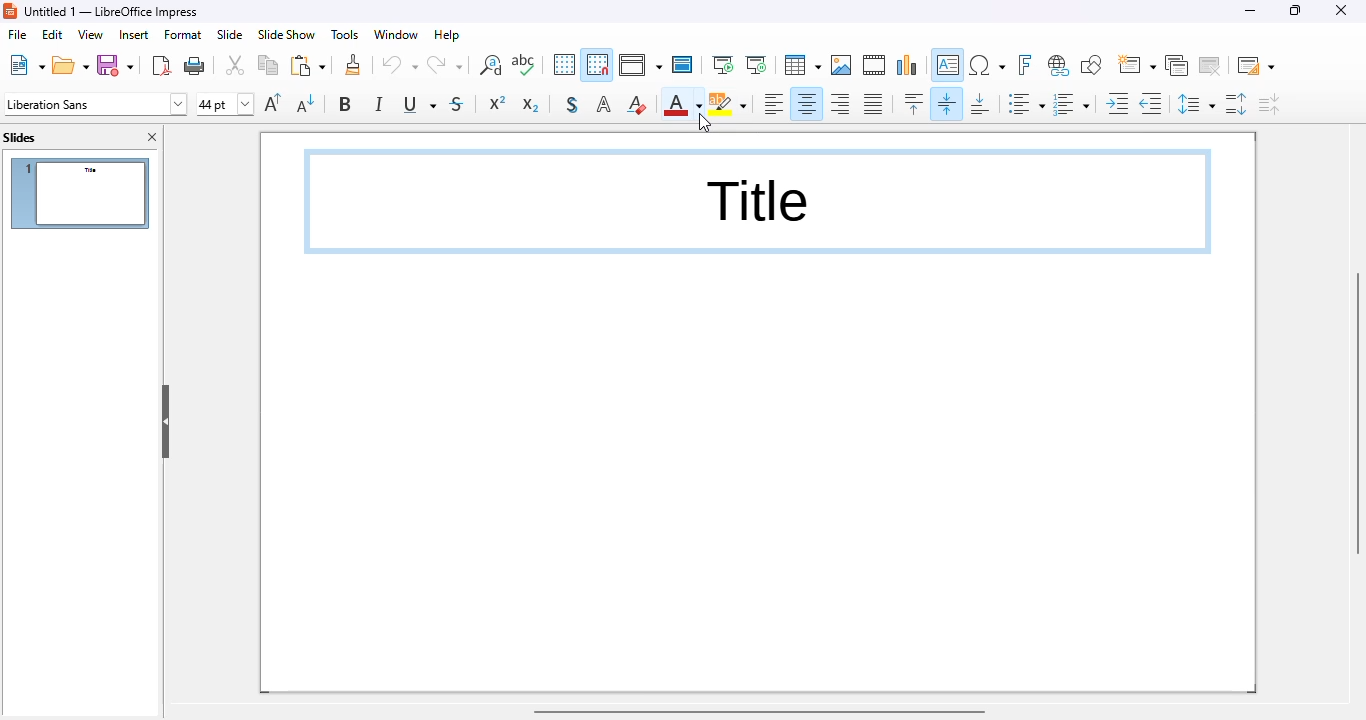 Image resolution: width=1366 pixels, height=720 pixels. I want to click on increase font size, so click(274, 102).